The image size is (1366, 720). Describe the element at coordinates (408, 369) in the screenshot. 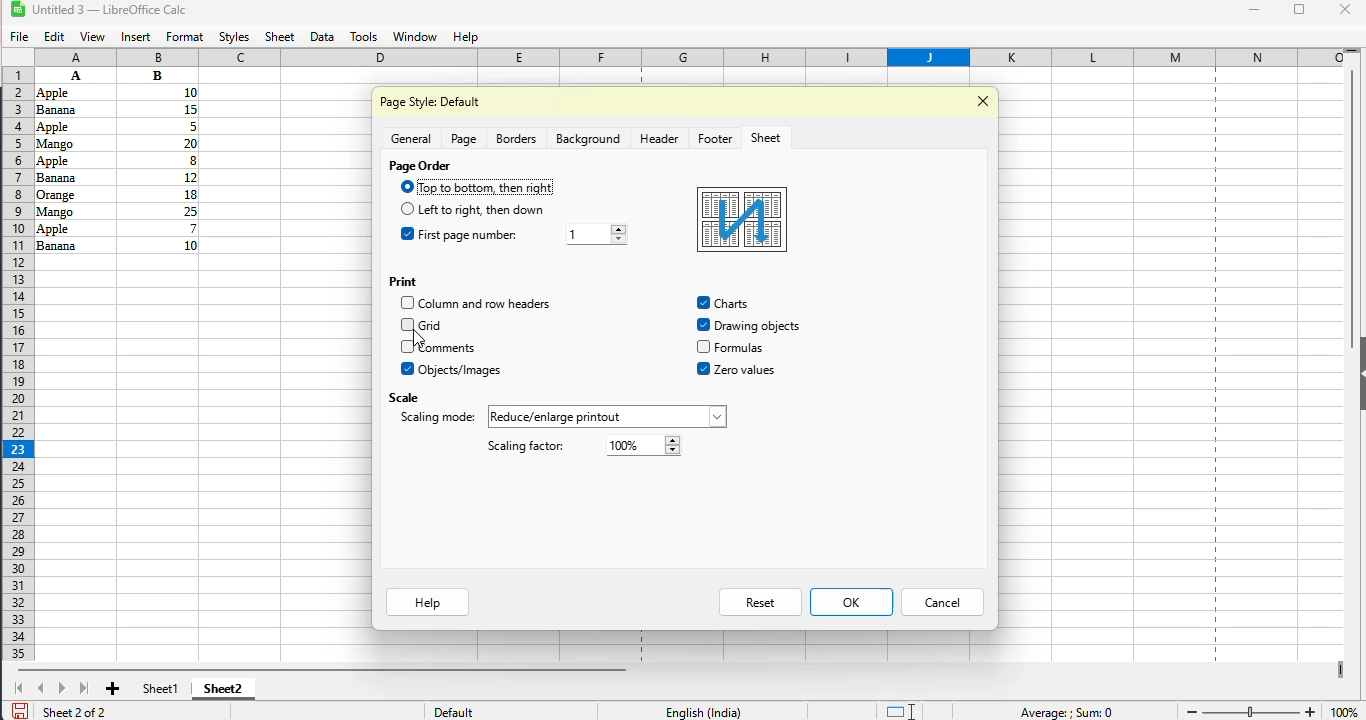

I see `` at that location.